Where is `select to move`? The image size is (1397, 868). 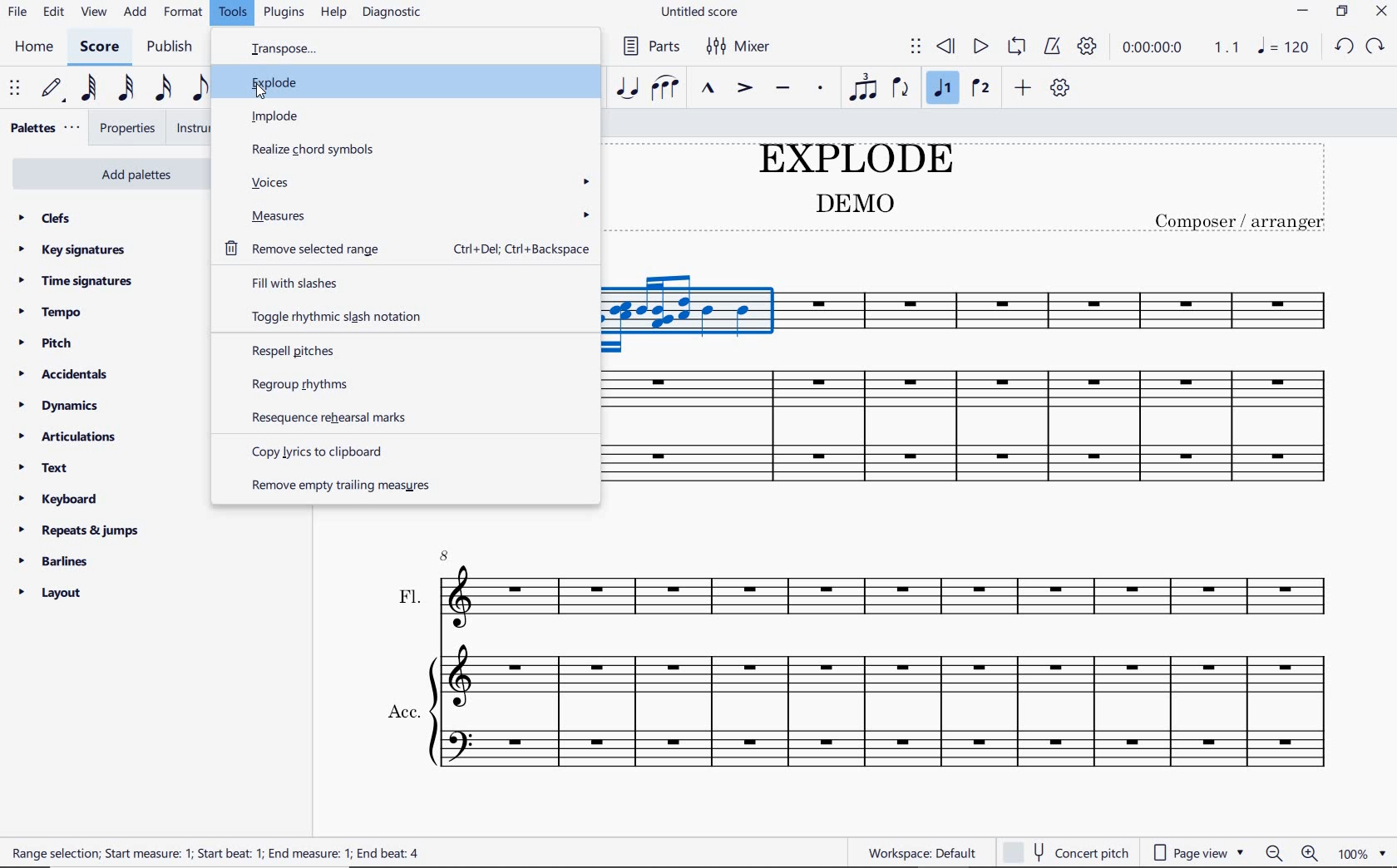
select to move is located at coordinates (14, 91).